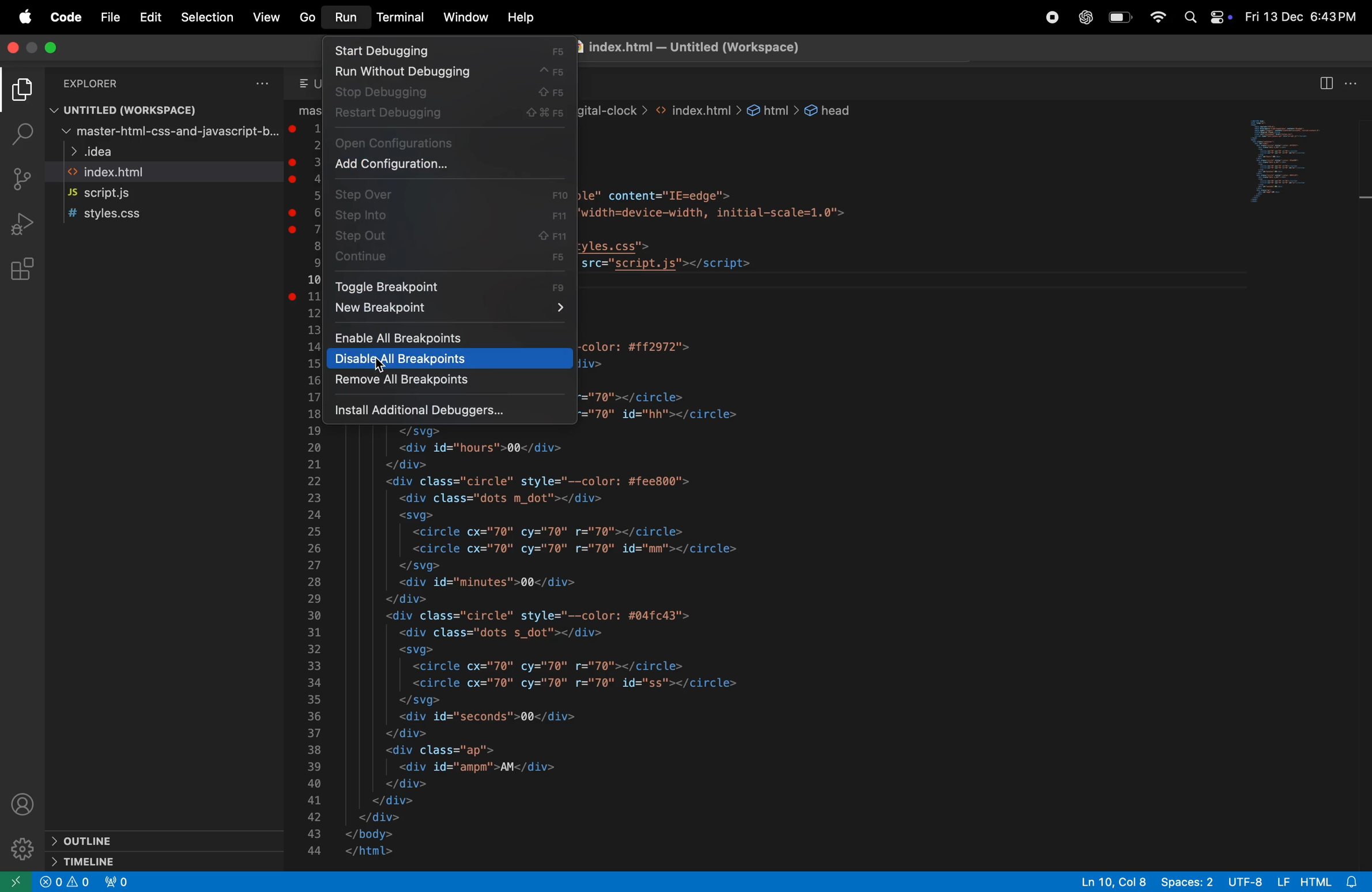 This screenshot has width=1372, height=892. What do you see at coordinates (455, 216) in the screenshot?
I see `step into` at bounding box center [455, 216].